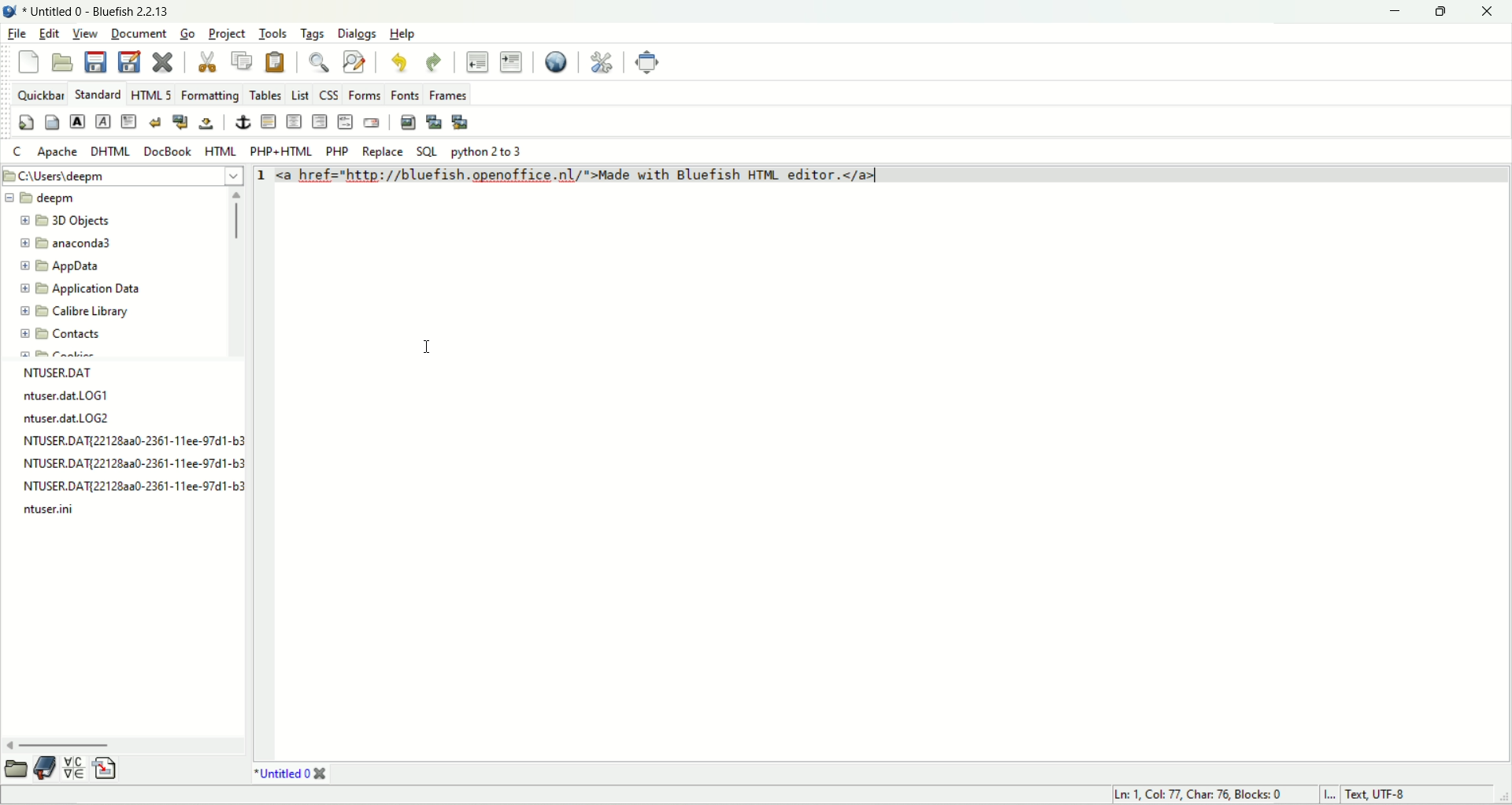  I want to click on MULTI THUMBNAIL, so click(462, 121).